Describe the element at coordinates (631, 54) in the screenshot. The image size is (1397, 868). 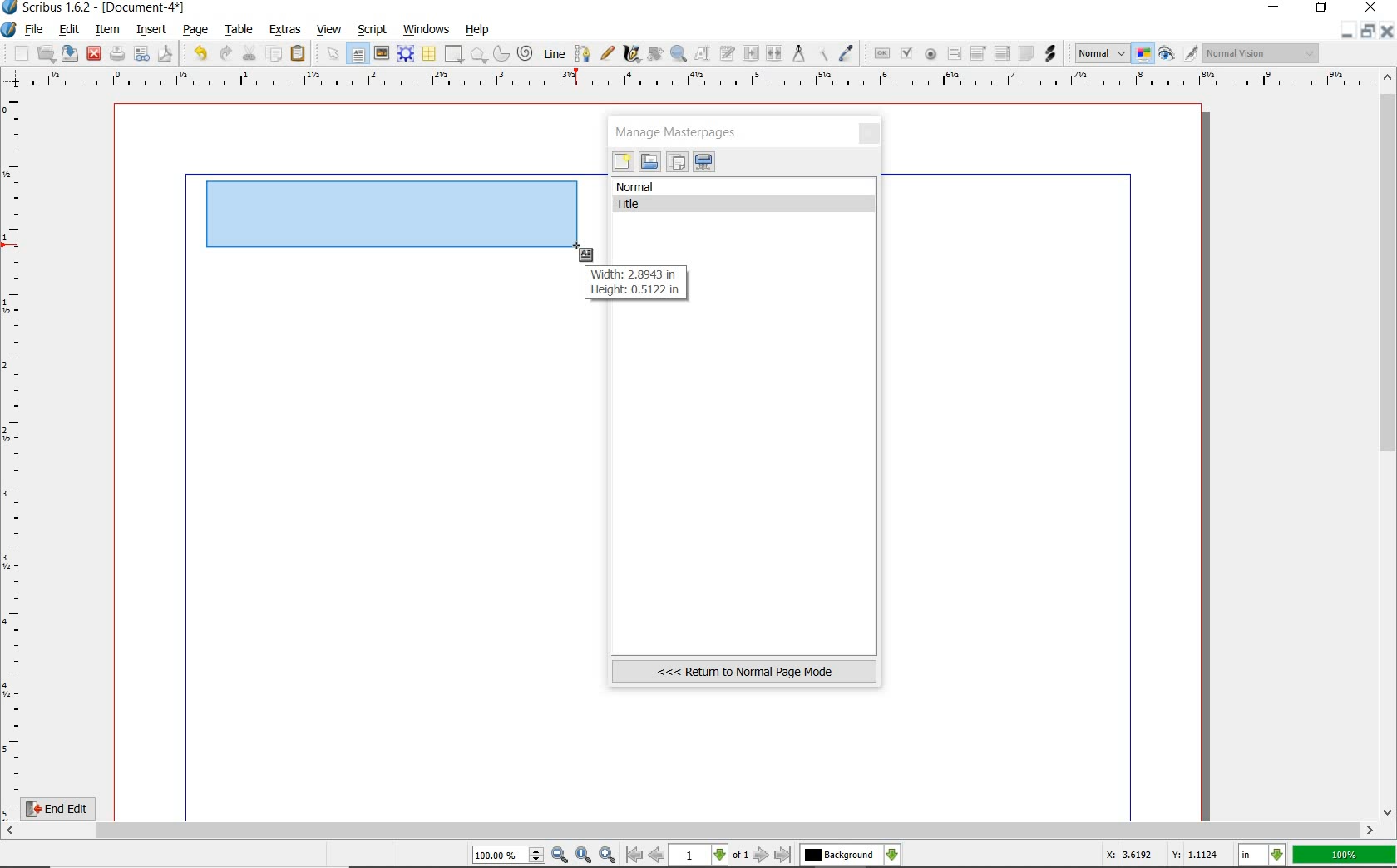
I see `calligraphic line` at that location.